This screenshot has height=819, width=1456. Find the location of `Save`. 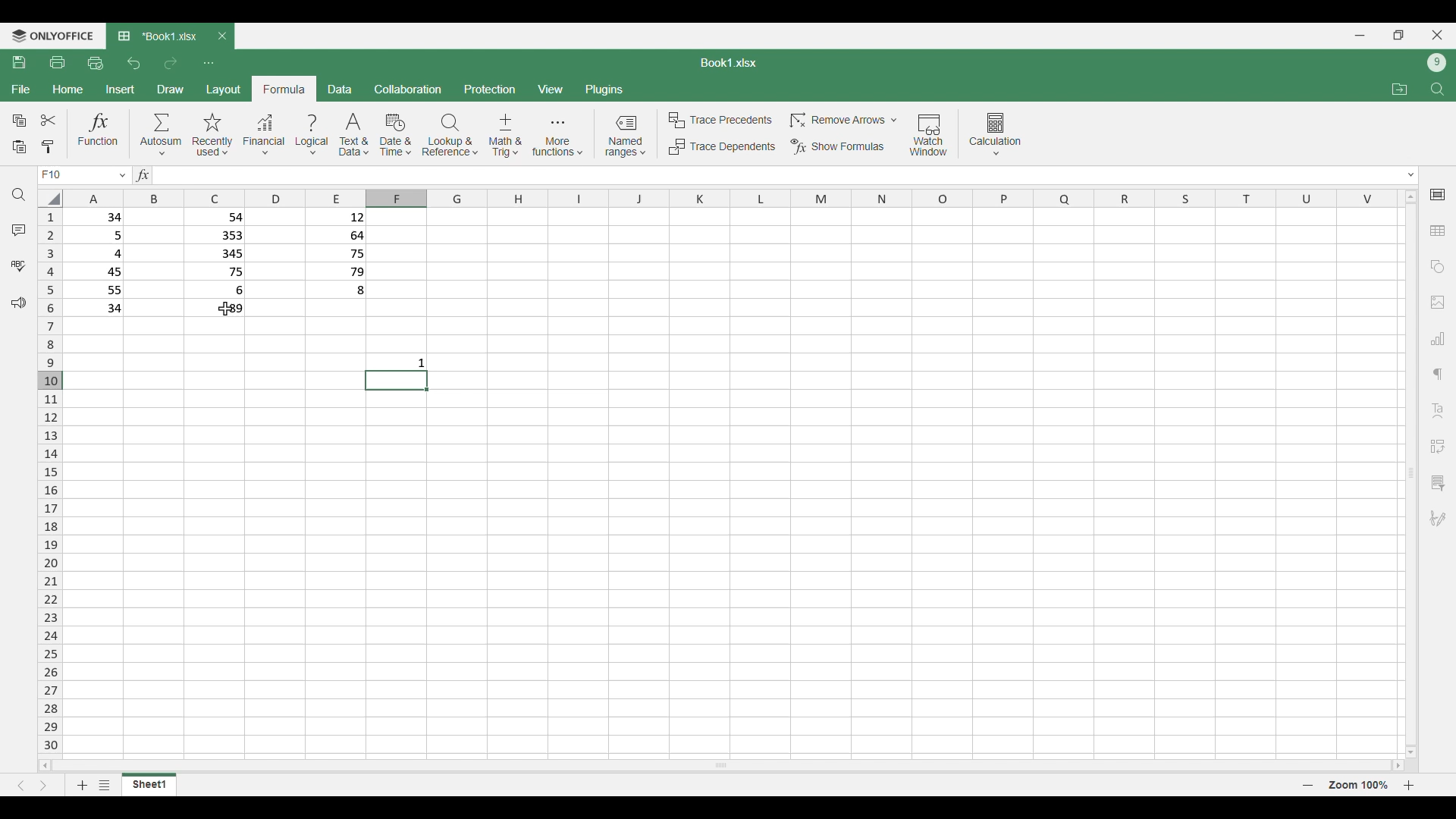

Save is located at coordinates (20, 62).